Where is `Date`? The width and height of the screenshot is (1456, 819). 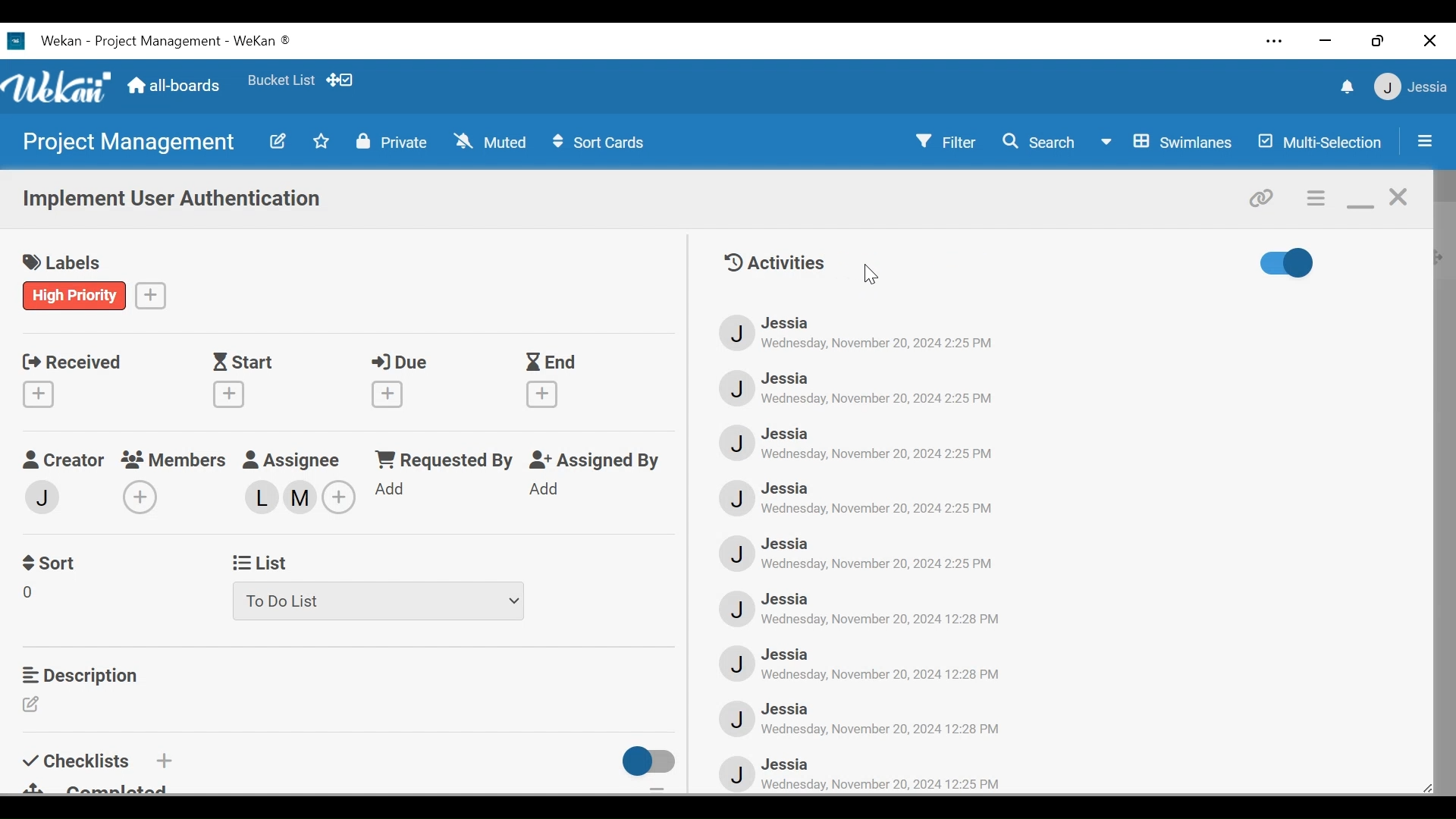 Date is located at coordinates (877, 343).